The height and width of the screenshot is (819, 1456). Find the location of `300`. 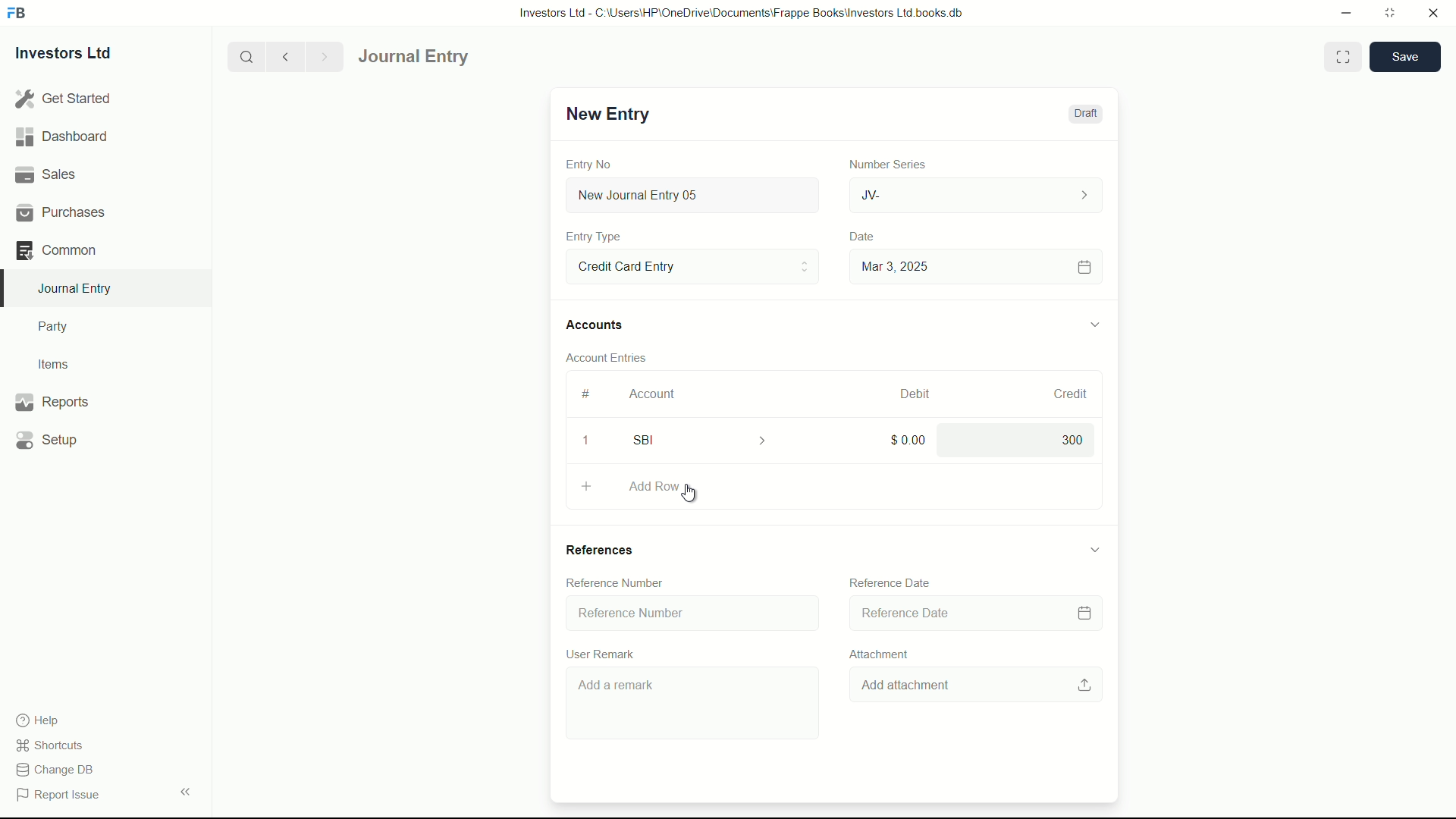

300 is located at coordinates (1014, 440).